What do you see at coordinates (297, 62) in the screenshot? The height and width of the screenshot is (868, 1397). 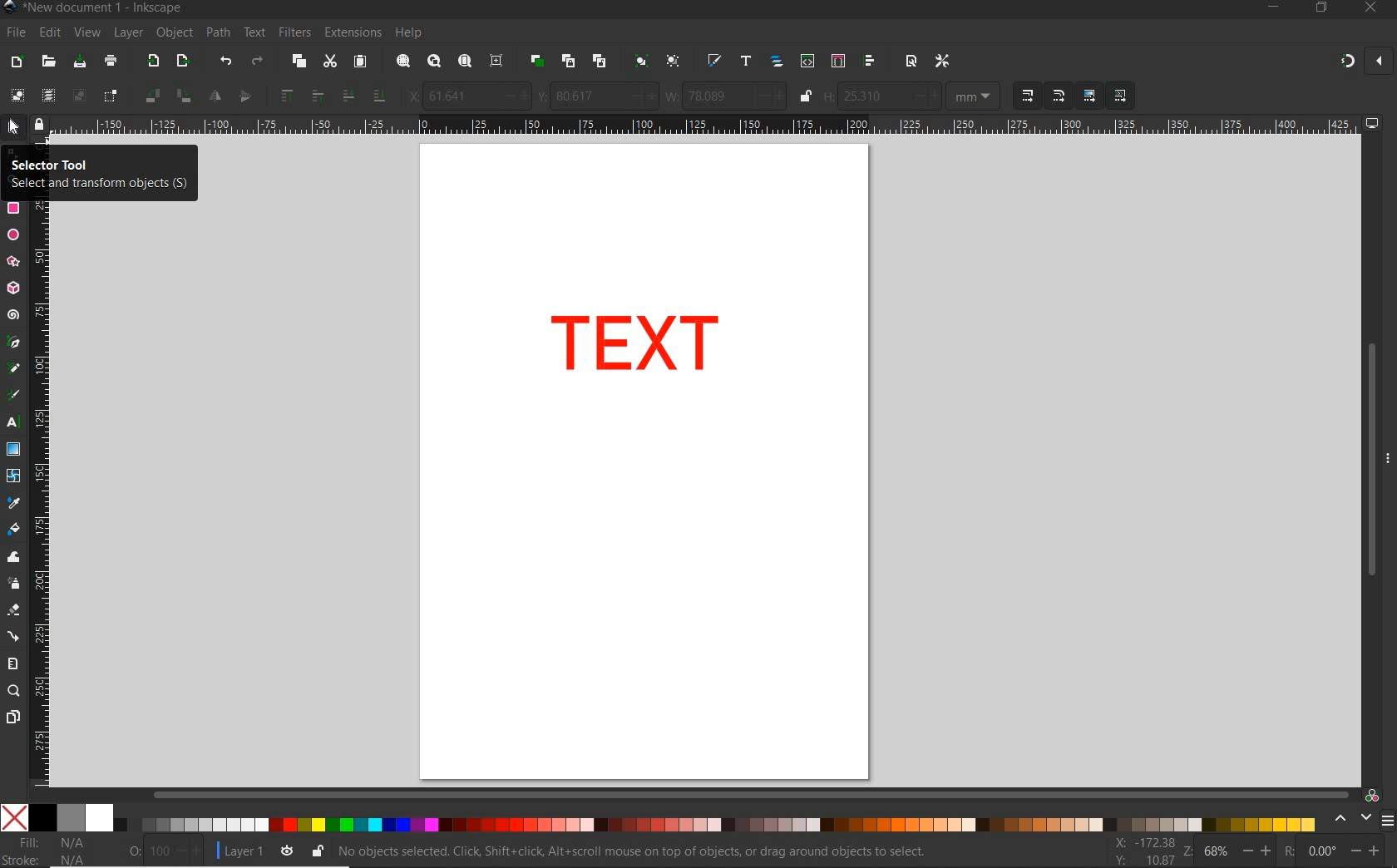 I see `copy` at bounding box center [297, 62].